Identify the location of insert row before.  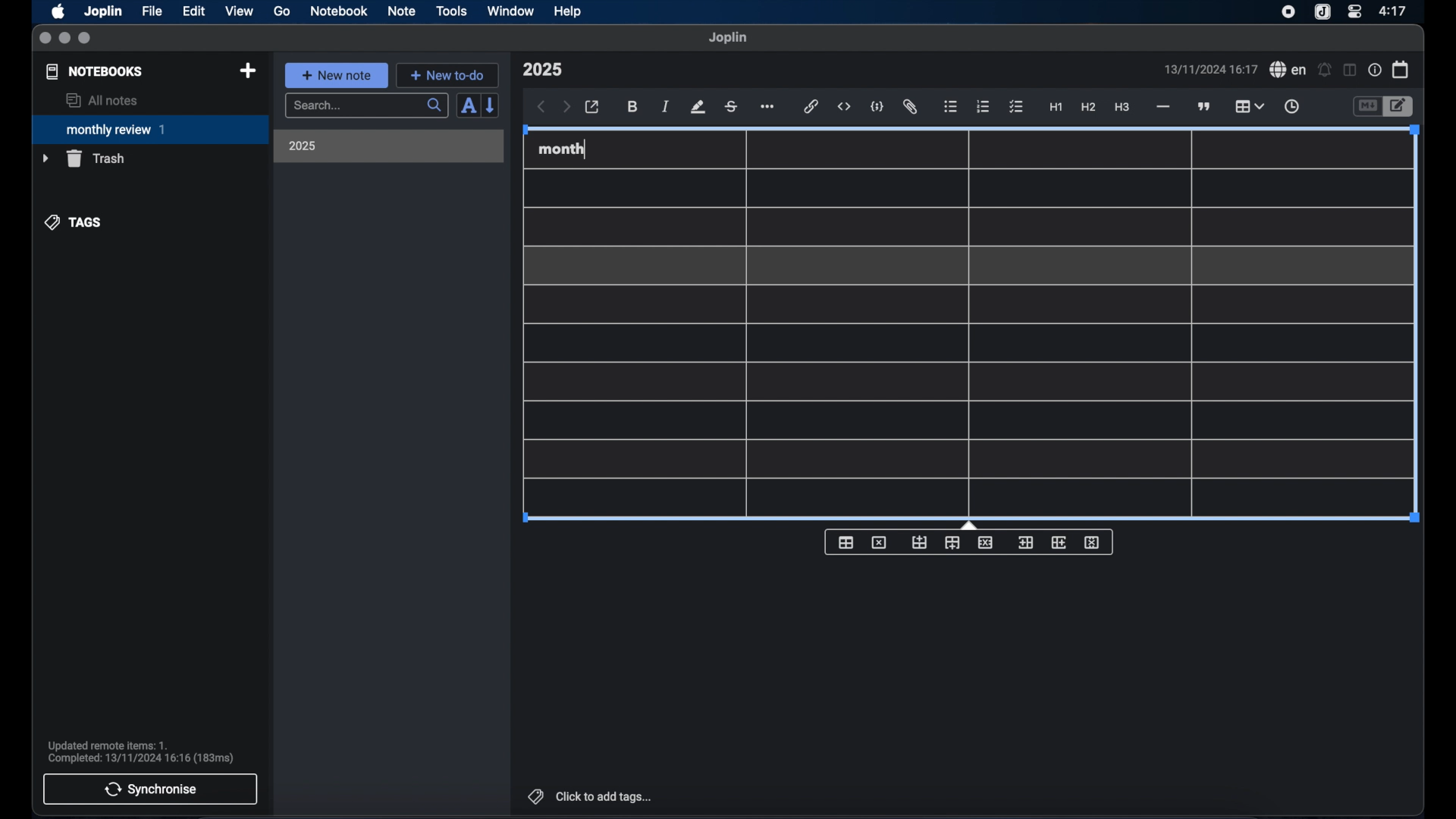
(920, 543).